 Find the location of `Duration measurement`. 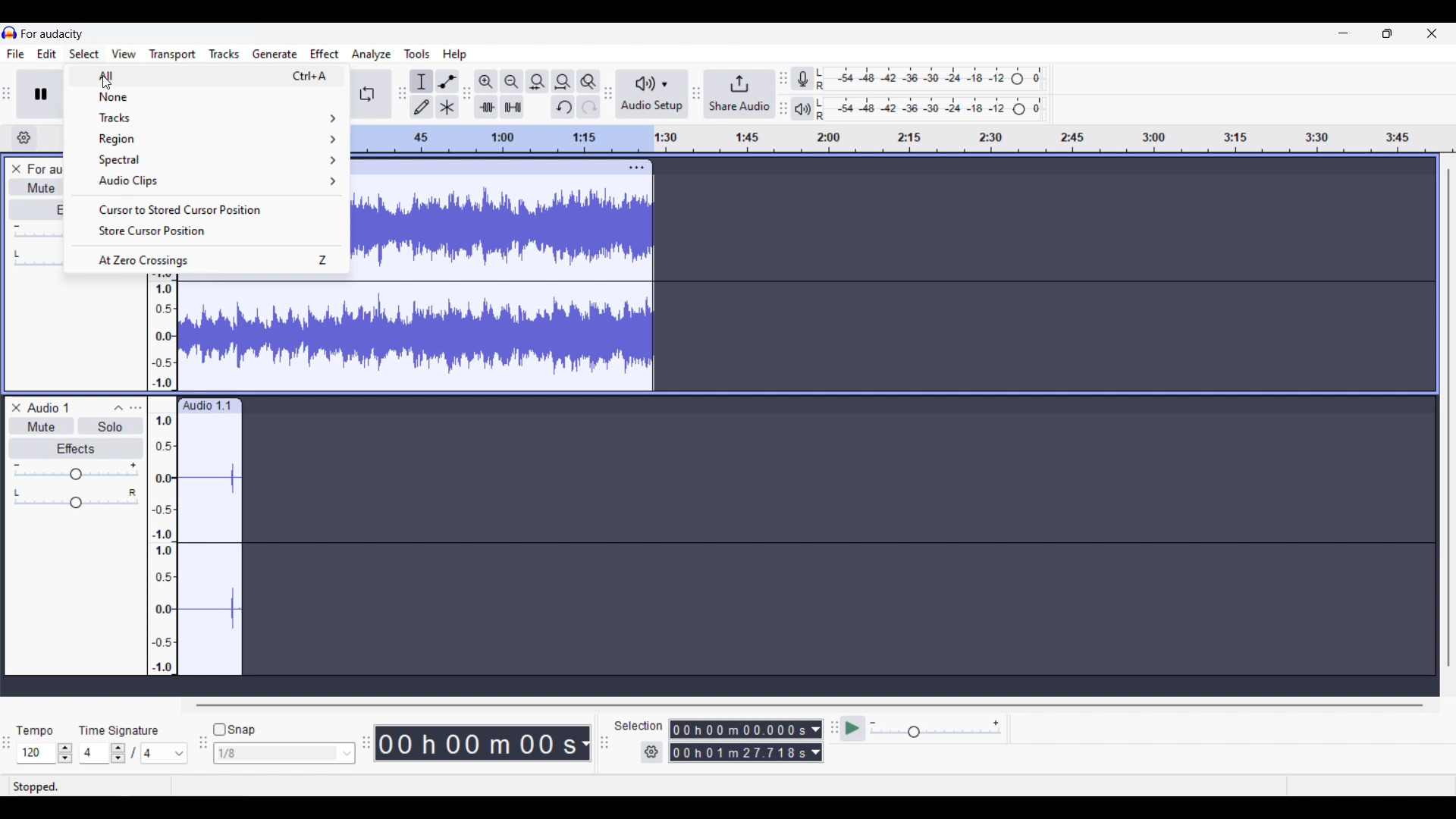

Duration measurement is located at coordinates (817, 741).